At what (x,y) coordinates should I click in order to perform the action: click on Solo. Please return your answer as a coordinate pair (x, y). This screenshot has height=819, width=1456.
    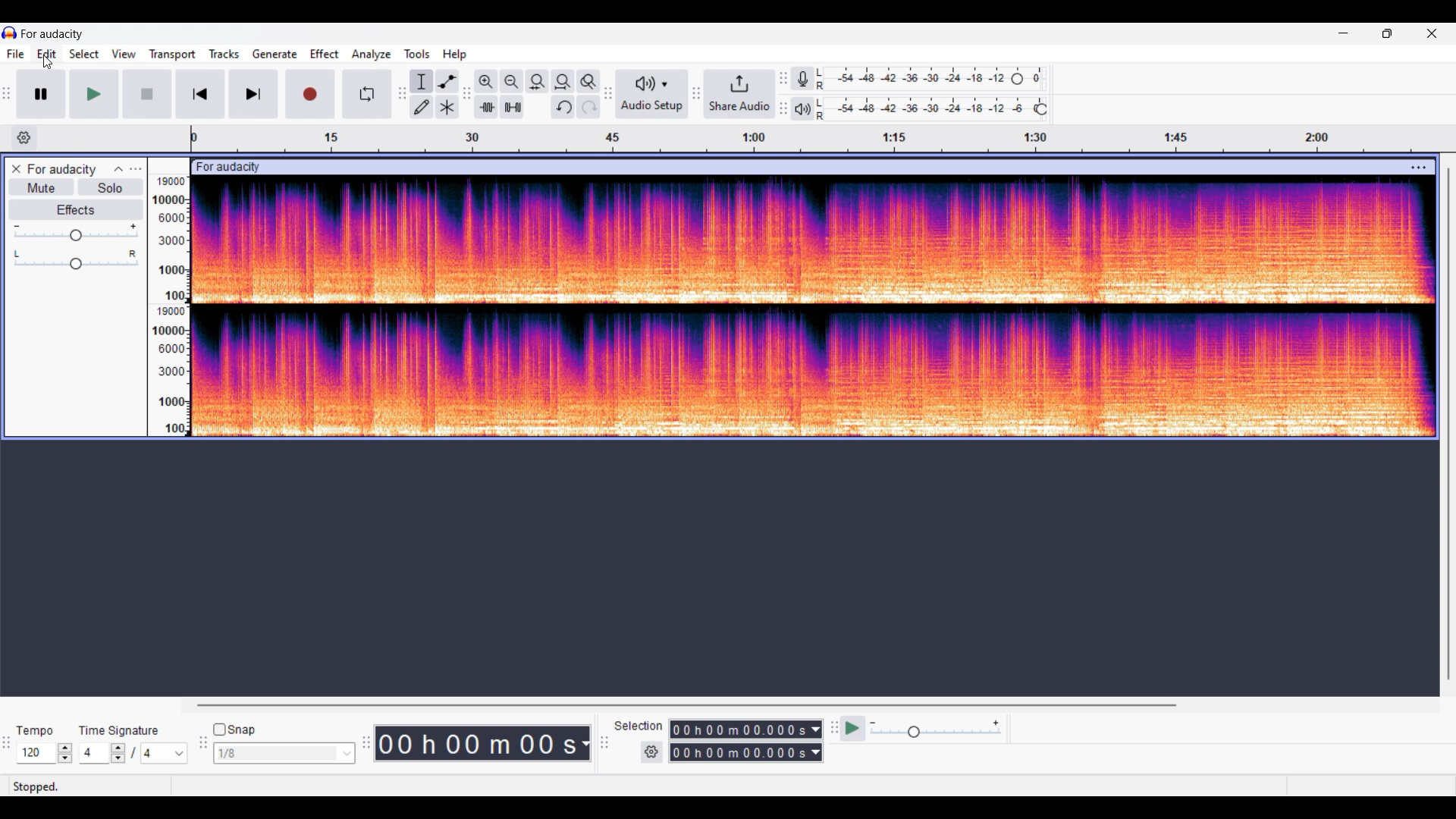
    Looking at the image, I should click on (111, 187).